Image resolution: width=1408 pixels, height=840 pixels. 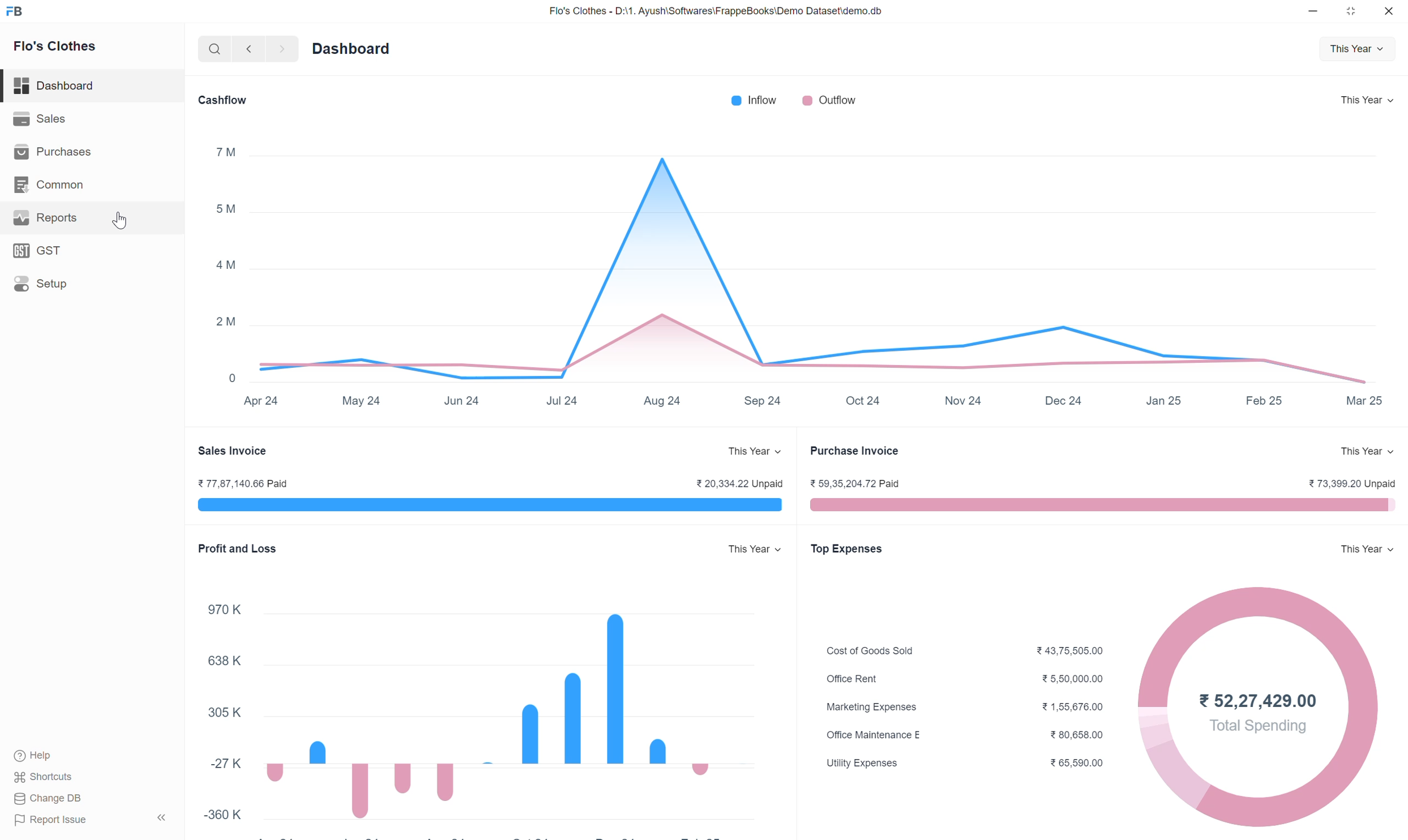 I want to click on Sales Invoice, so click(x=233, y=448).